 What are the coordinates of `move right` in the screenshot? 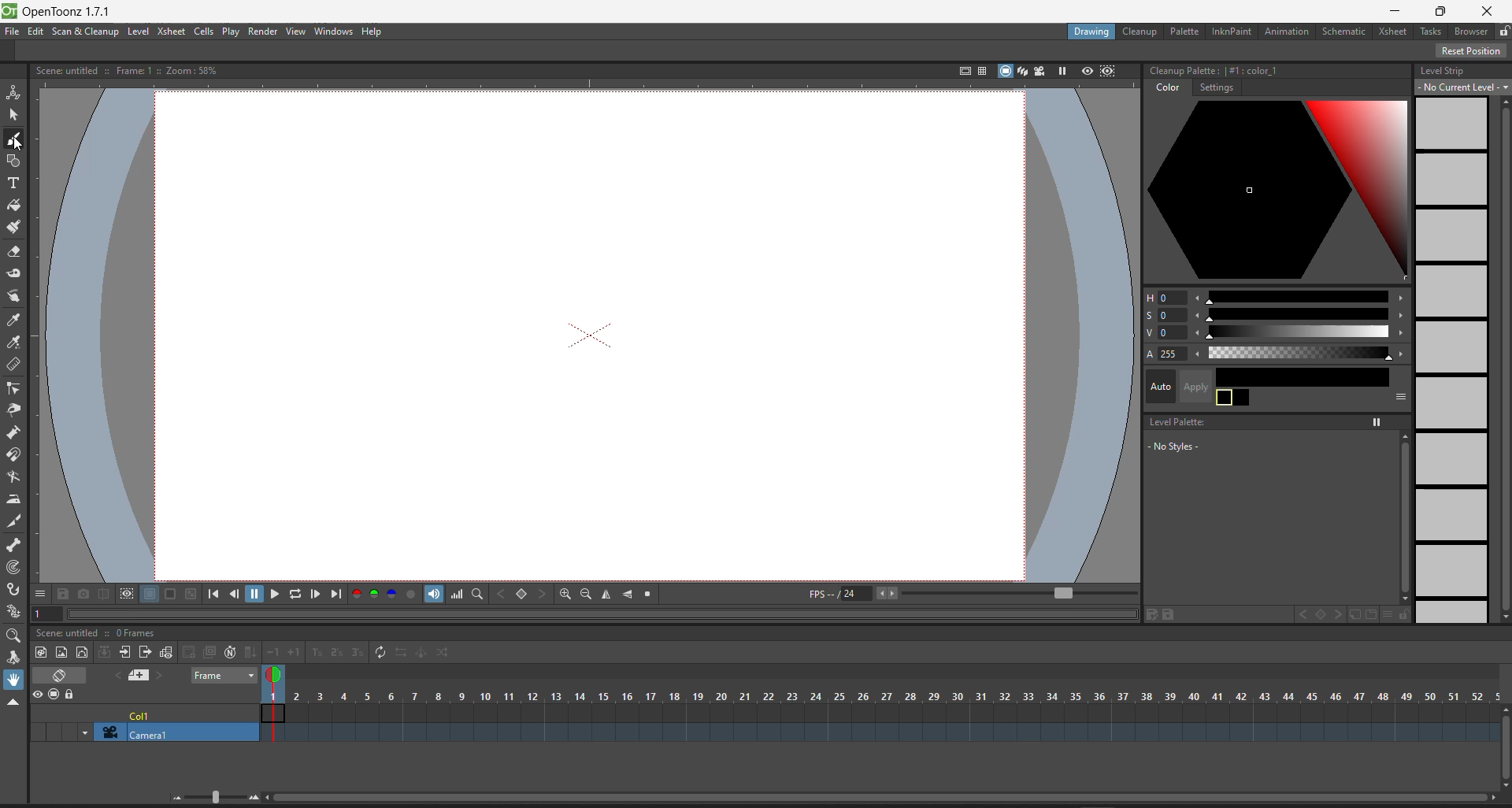 It's located at (1400, 317).